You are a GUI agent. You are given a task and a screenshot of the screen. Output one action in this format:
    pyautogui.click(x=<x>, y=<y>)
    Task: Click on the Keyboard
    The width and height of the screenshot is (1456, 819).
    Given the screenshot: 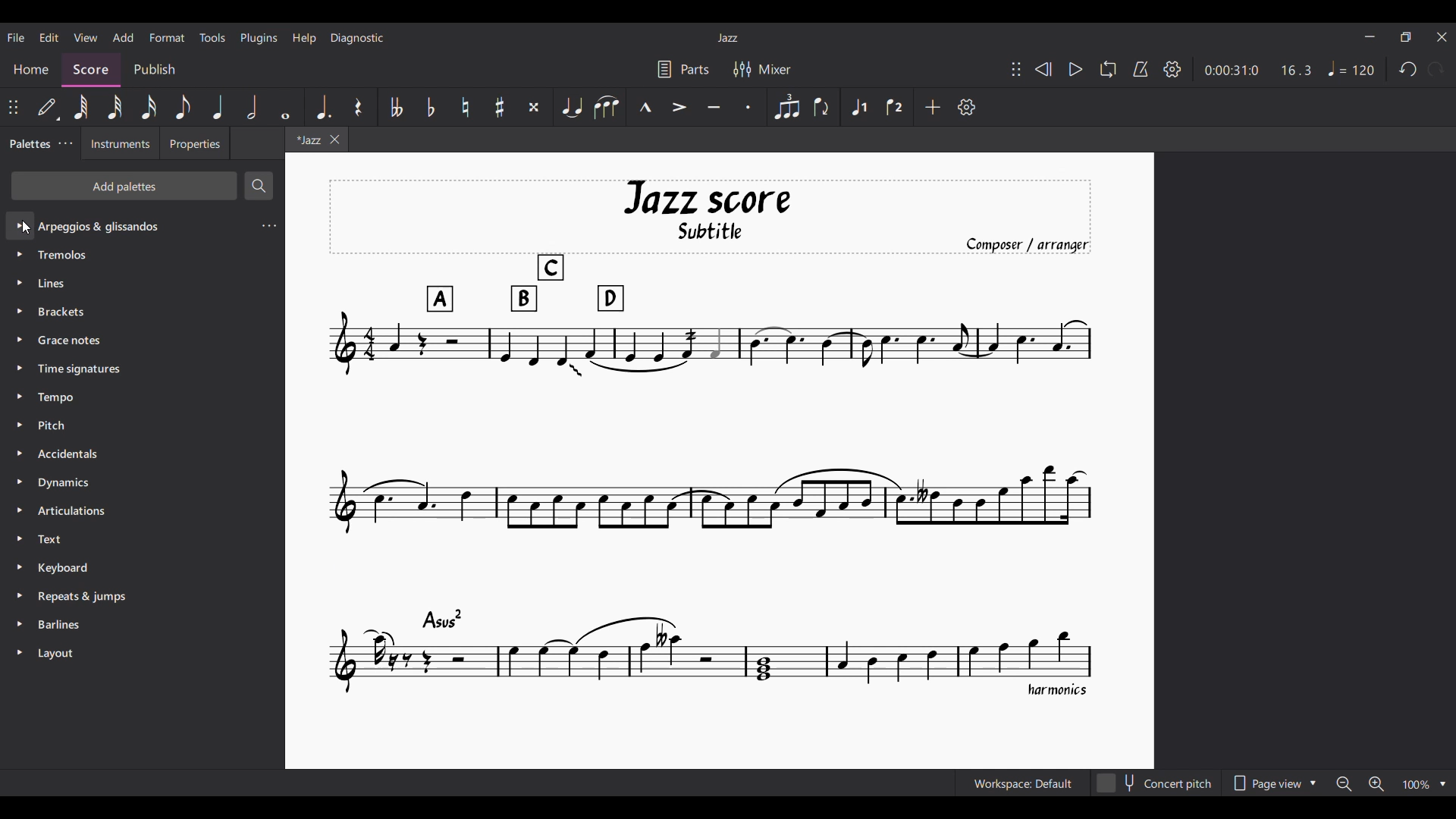 What is the action you would take?
    pyautogui.click(x=70, y=568)
    